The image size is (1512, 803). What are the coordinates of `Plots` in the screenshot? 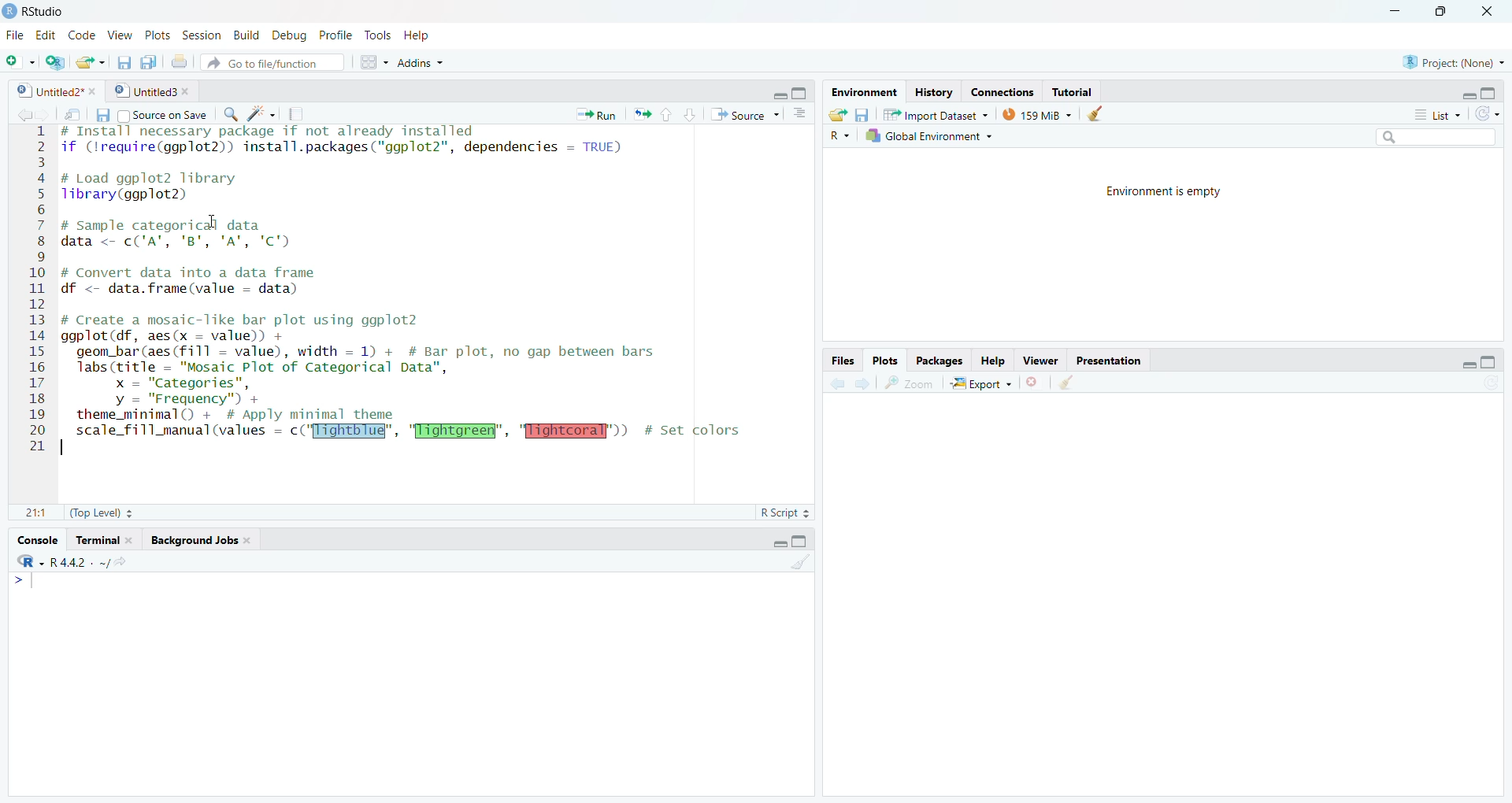 It's located at (155, 35).